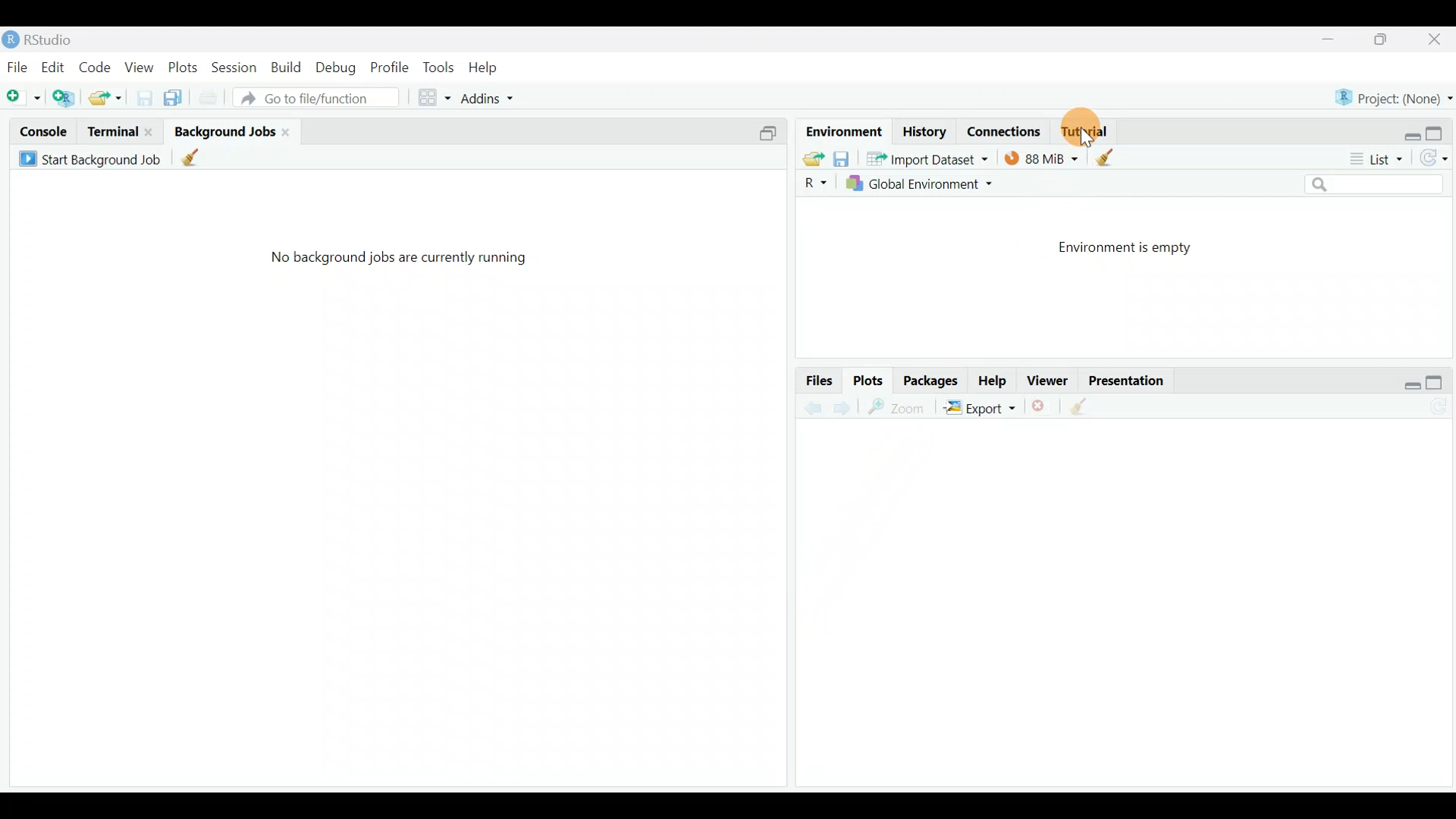 The image size is (1456, 819). What do you see at coordinates (814, 381) in the screenshot?
I see `Files` at bounding box center [814, 381].